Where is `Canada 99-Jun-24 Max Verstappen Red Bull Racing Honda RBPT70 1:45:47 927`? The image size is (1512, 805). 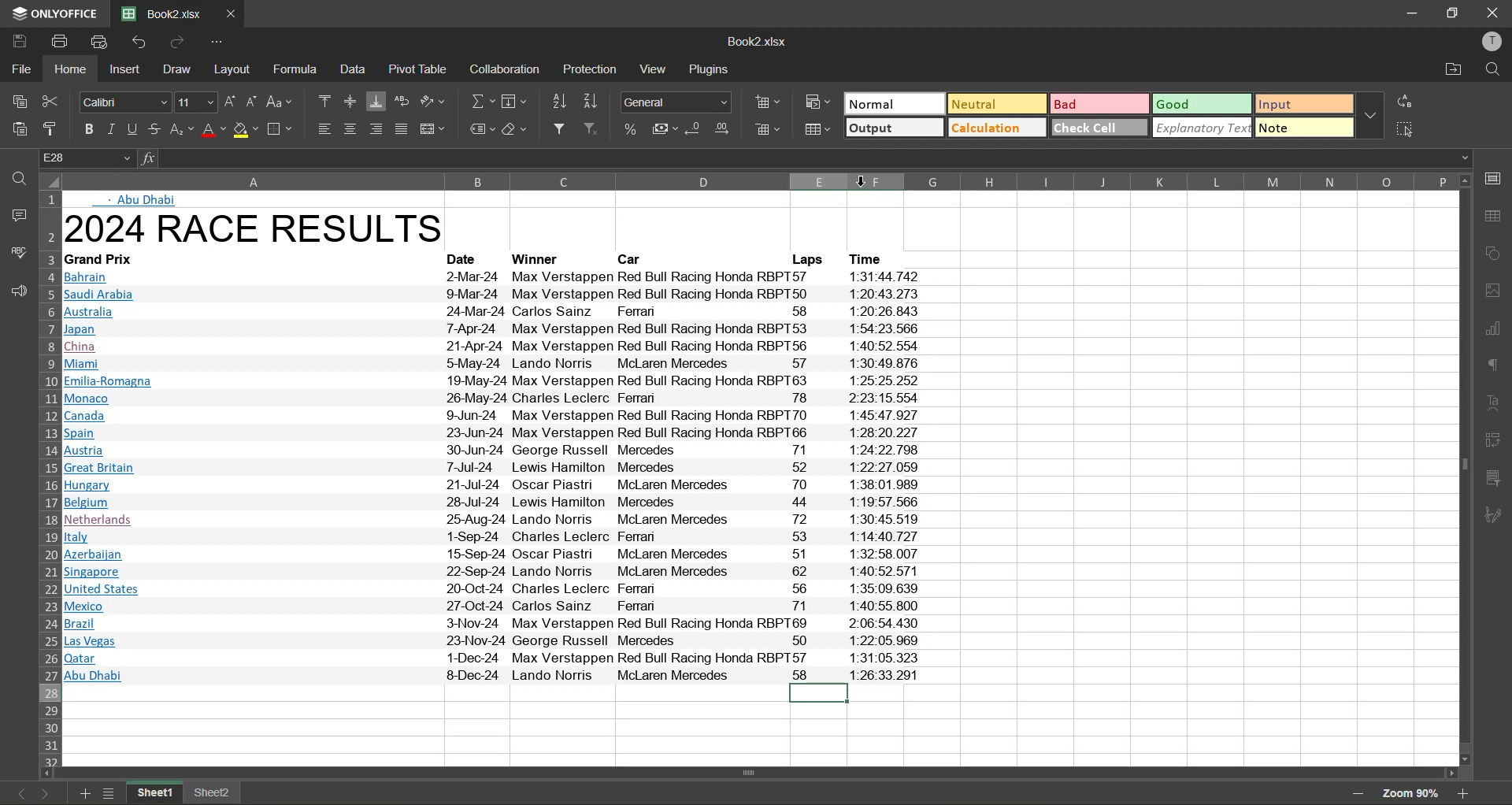 Canada 99-Jun-24 Max Verstappen Red Bull Racing Honda RBPT70 1:45:47 927 is located at coordinates (492, 415).